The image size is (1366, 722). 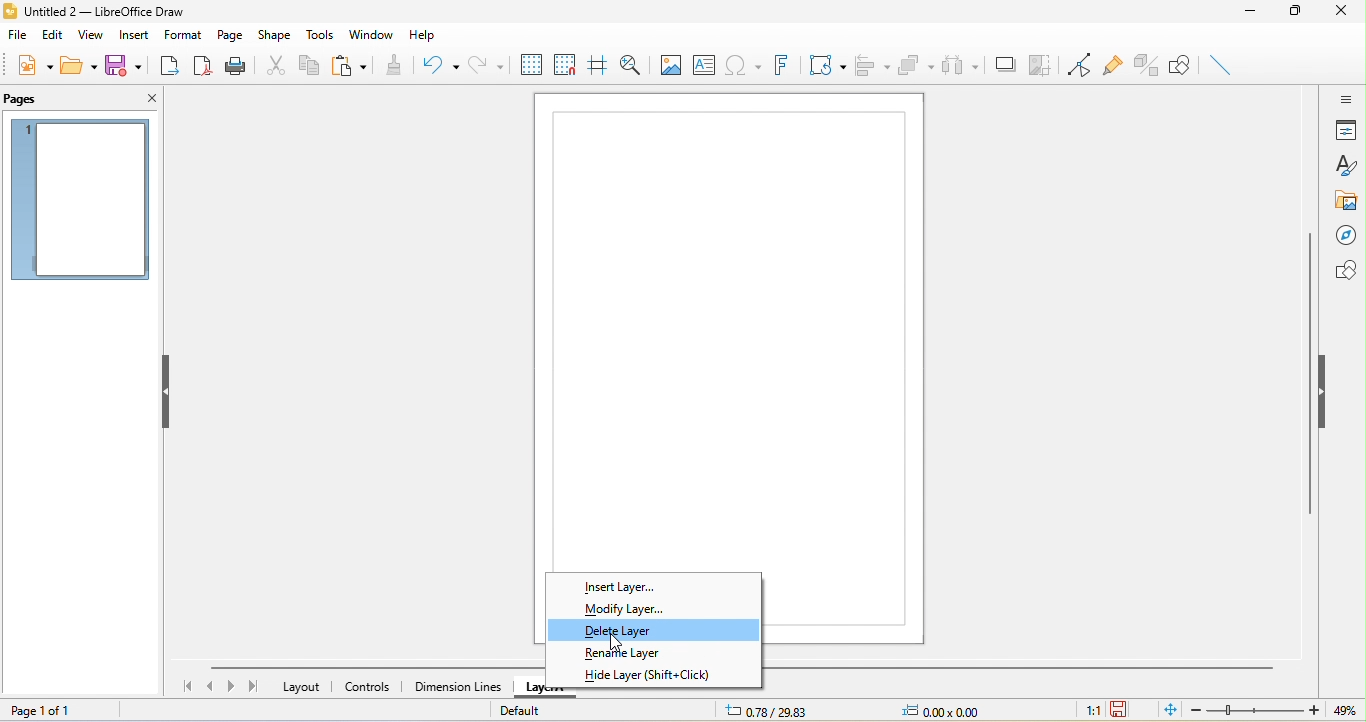 What do you see at coordinates (1044, 63) in the screenshot?
I see `crop image` at bounding box center [1044, 63].